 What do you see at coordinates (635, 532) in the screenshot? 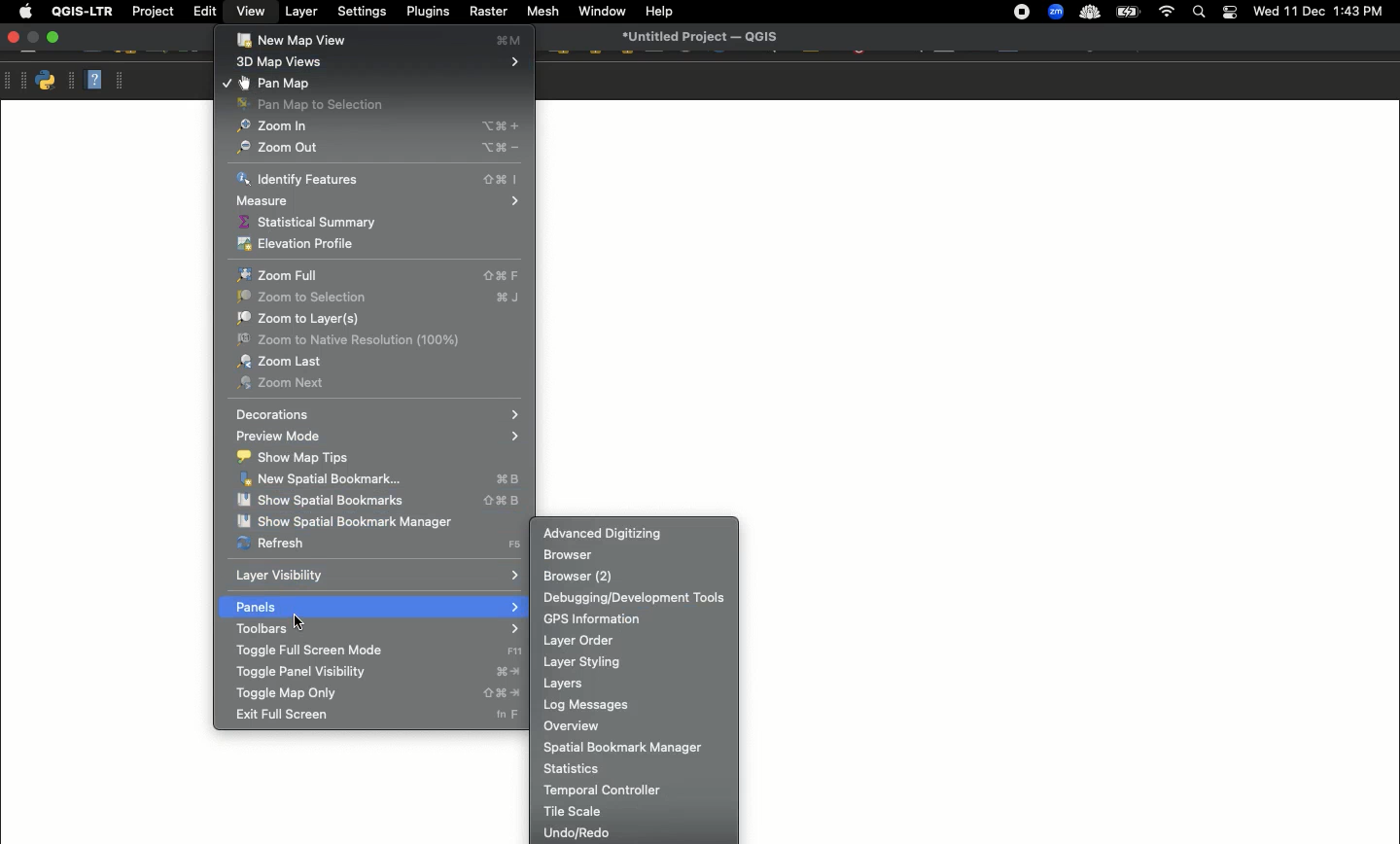
I see `Advanced digitizing` at bounding box center [635, 532].